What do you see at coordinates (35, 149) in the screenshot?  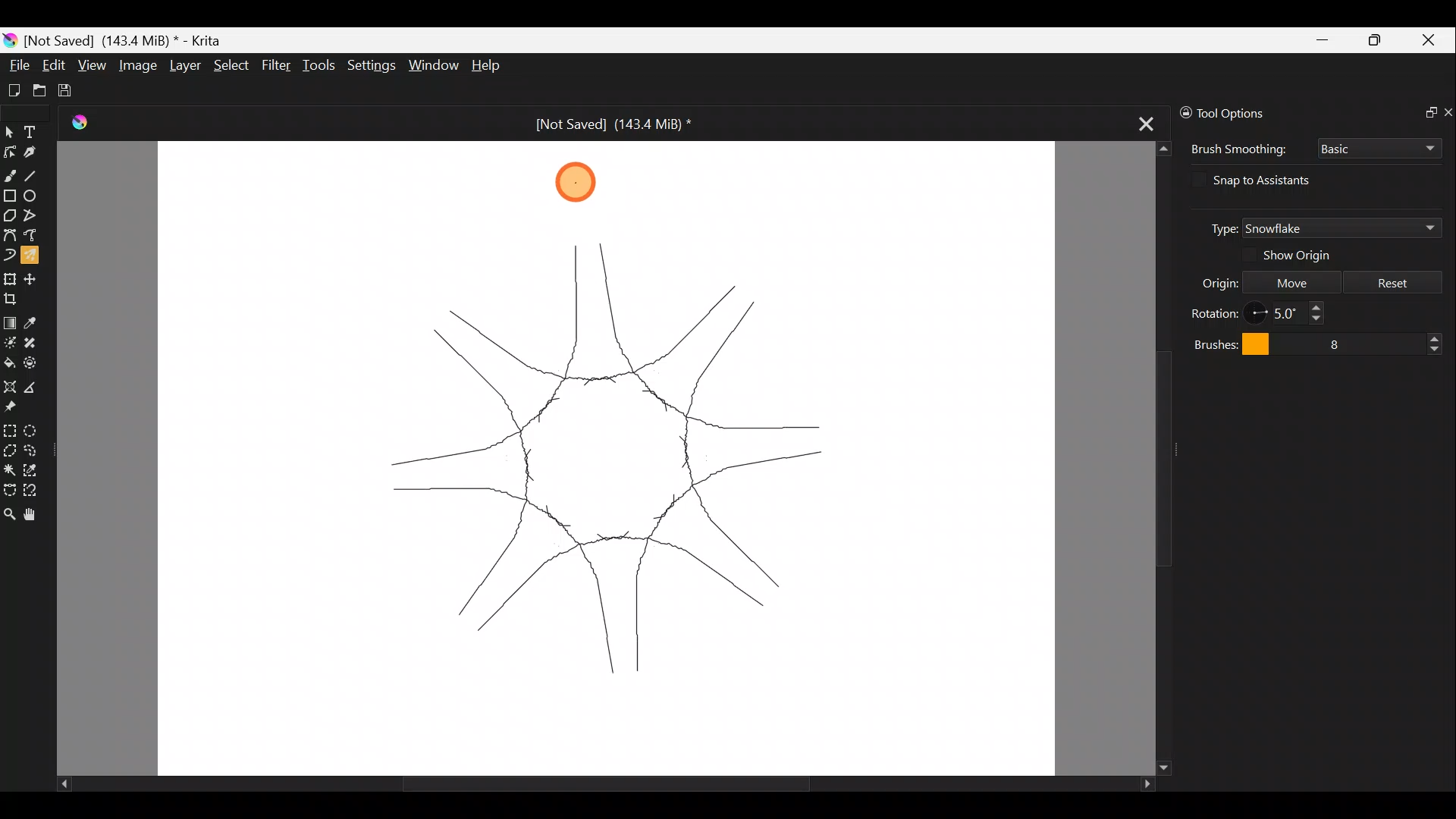 I see `Calligraphy` at bounding box center [35, 149].